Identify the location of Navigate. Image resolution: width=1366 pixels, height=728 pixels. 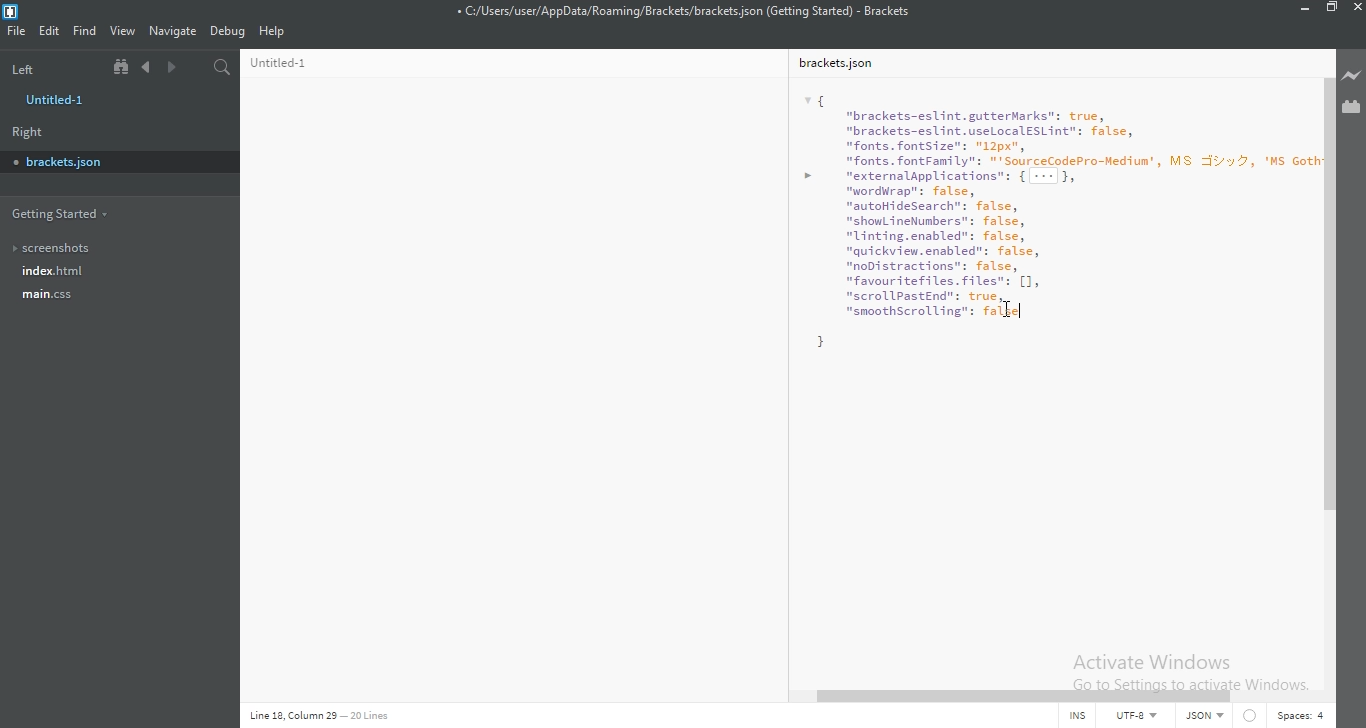
(174, 30).